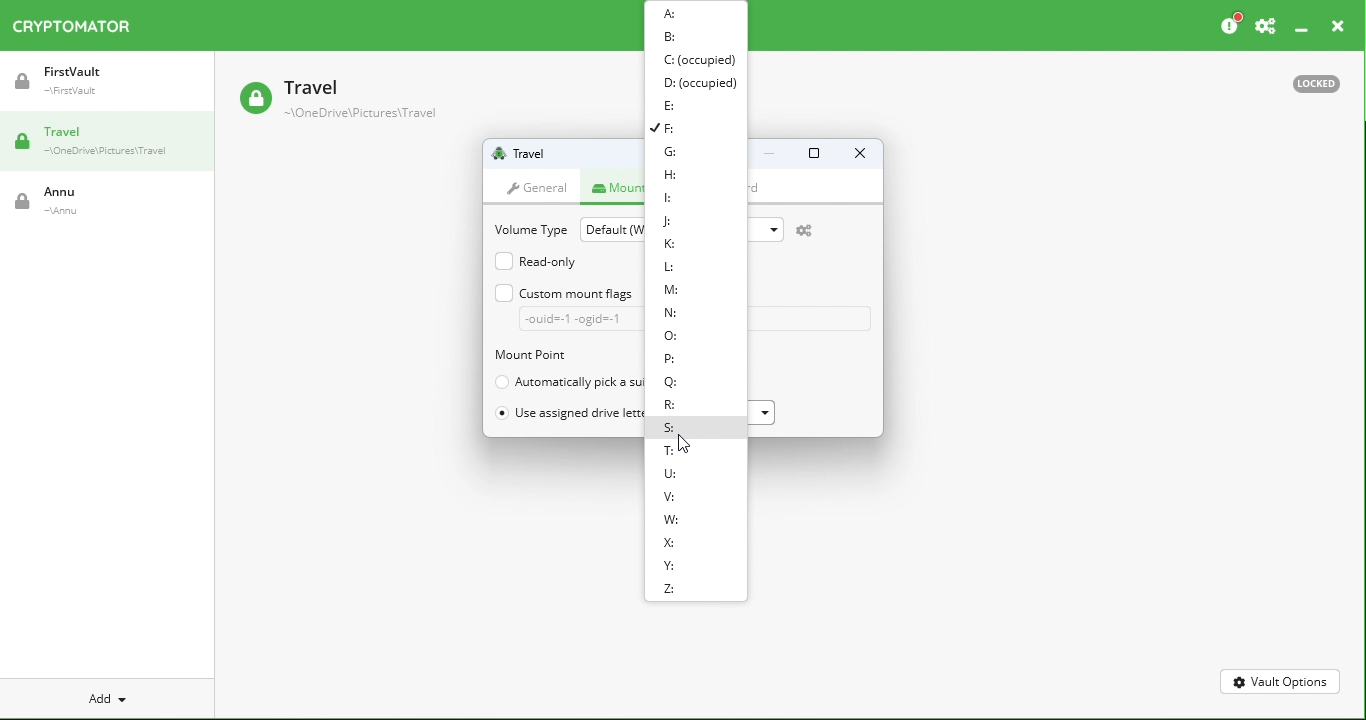 Image resolution: width=1366 pixels, height=720 pixels. Describe the element at coordinates (609, 228) in the screenshot. I see `Default` at that location.